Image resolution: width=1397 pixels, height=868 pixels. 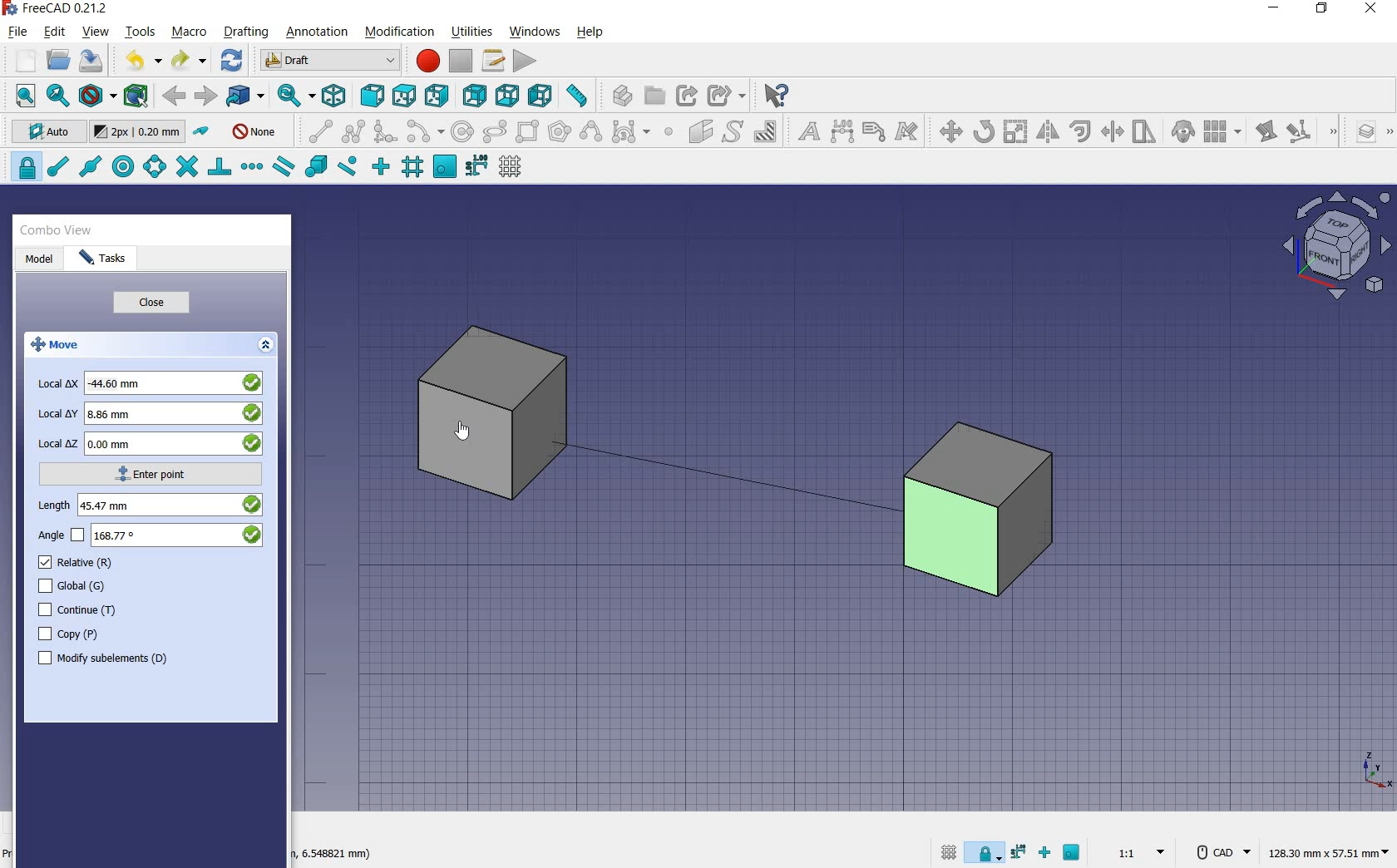 I want to click on relative, so click(x=77, y=562).